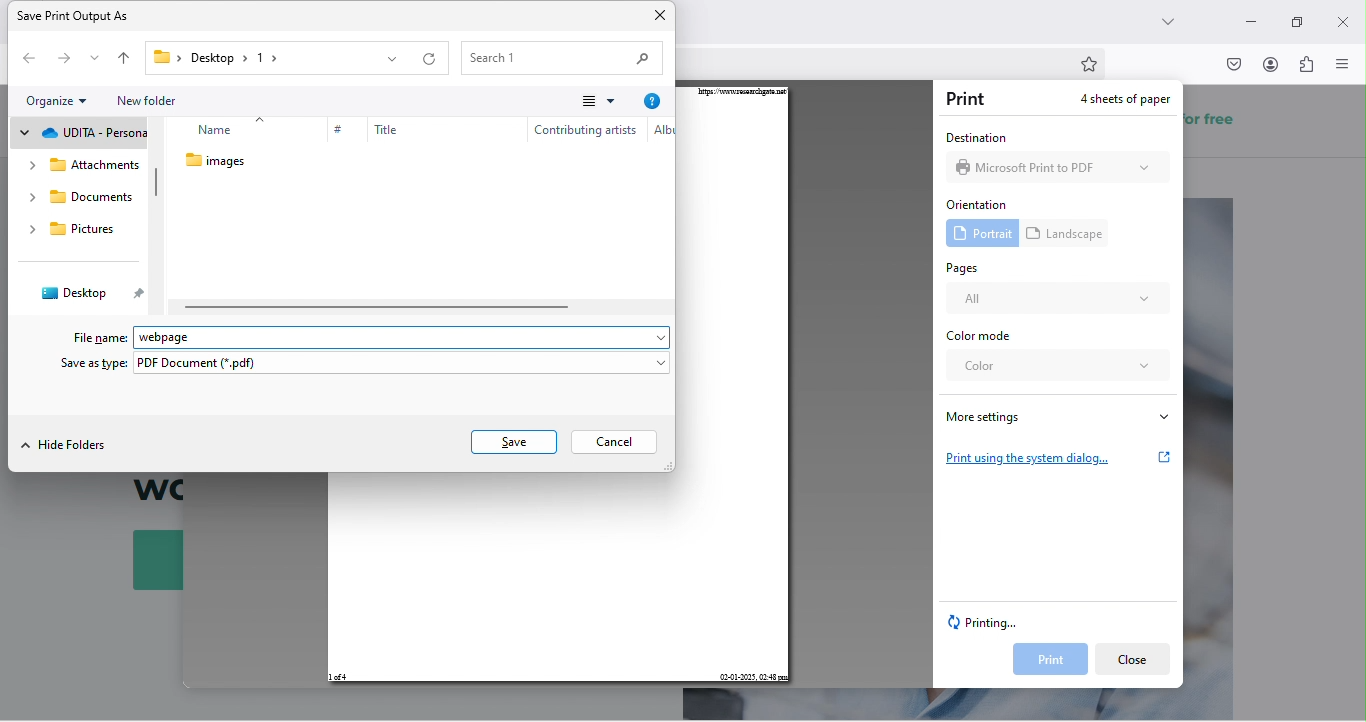  What do you see at coordinates (70, 445) in the screenshot?
I see `hide folder` at bounding box center [70, 445].